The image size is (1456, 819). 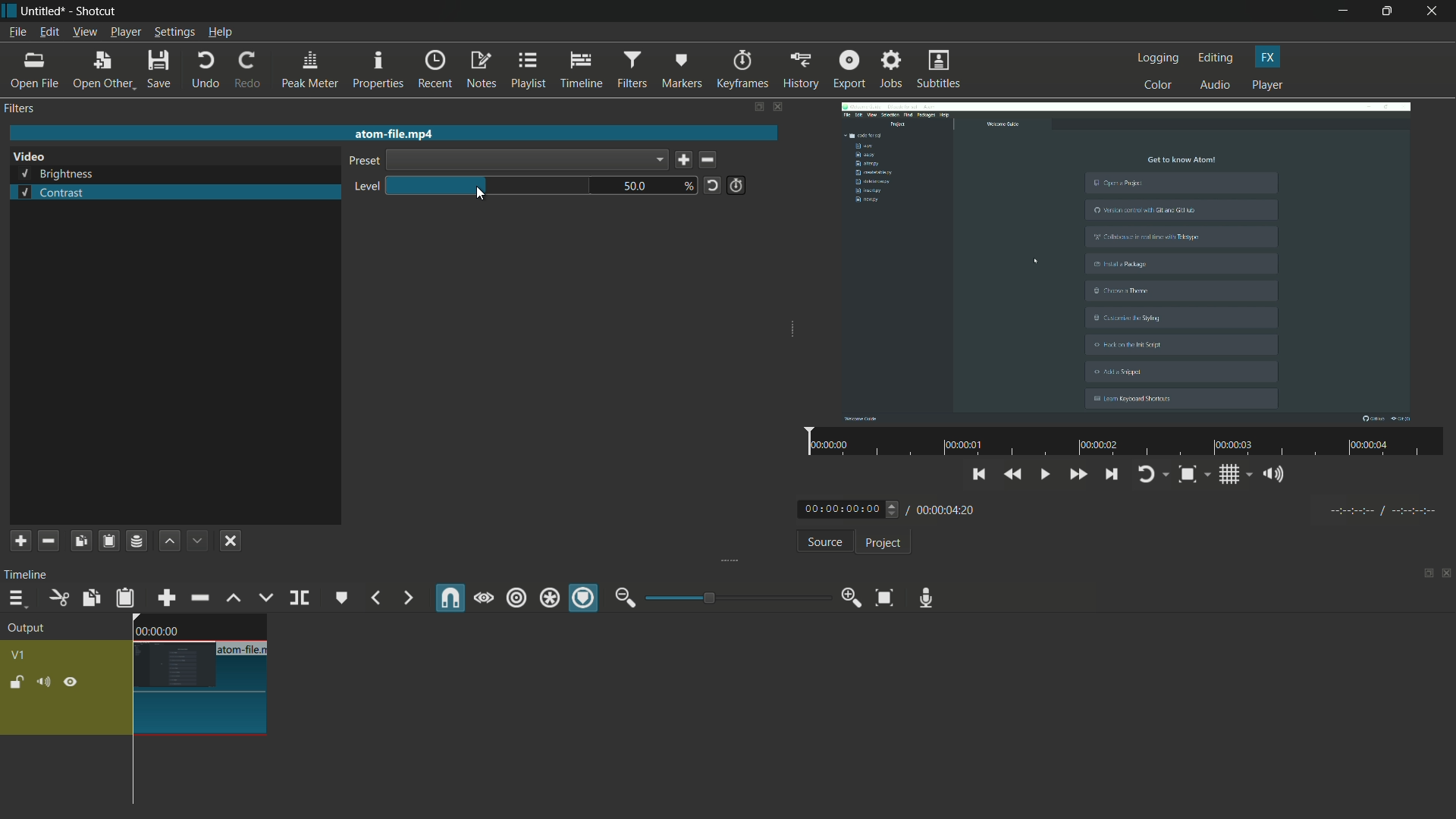 I want to click on cut, so click(x=58, y=598).